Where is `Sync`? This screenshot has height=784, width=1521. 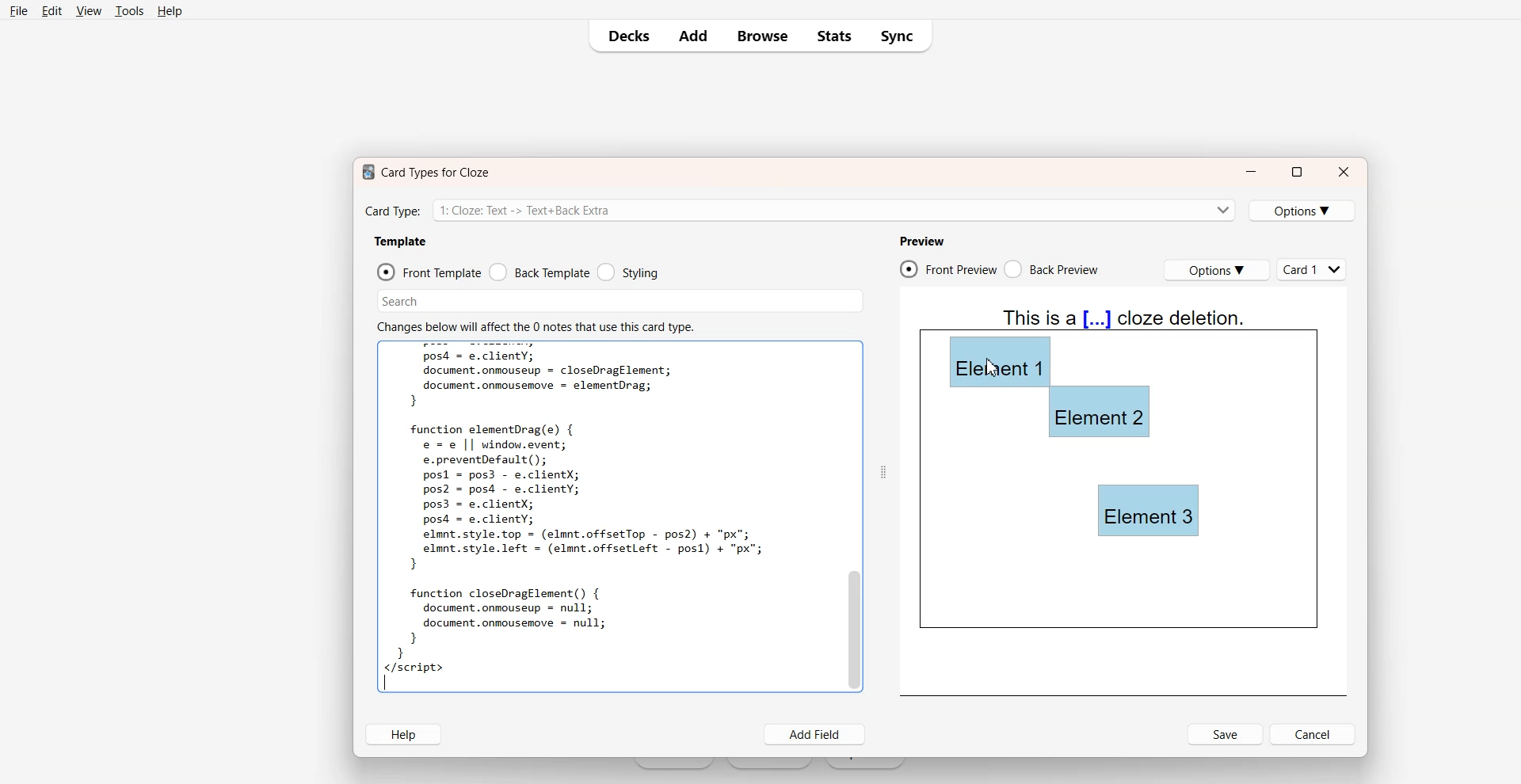
Sync is located at coordinates (900, 36).